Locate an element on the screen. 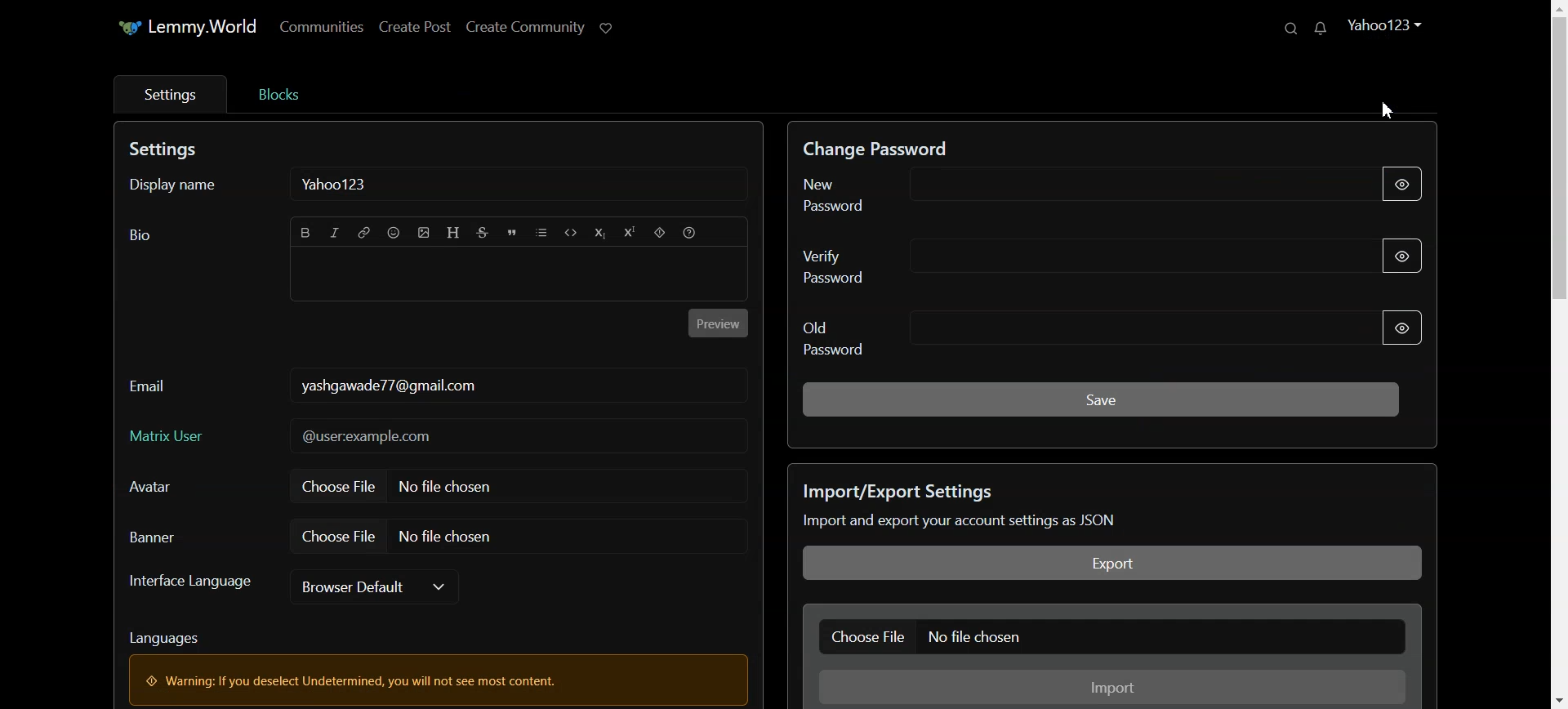 The width and height of the screenshot is (1568, 709). Strikethrough is located at coordinates (483, 232).